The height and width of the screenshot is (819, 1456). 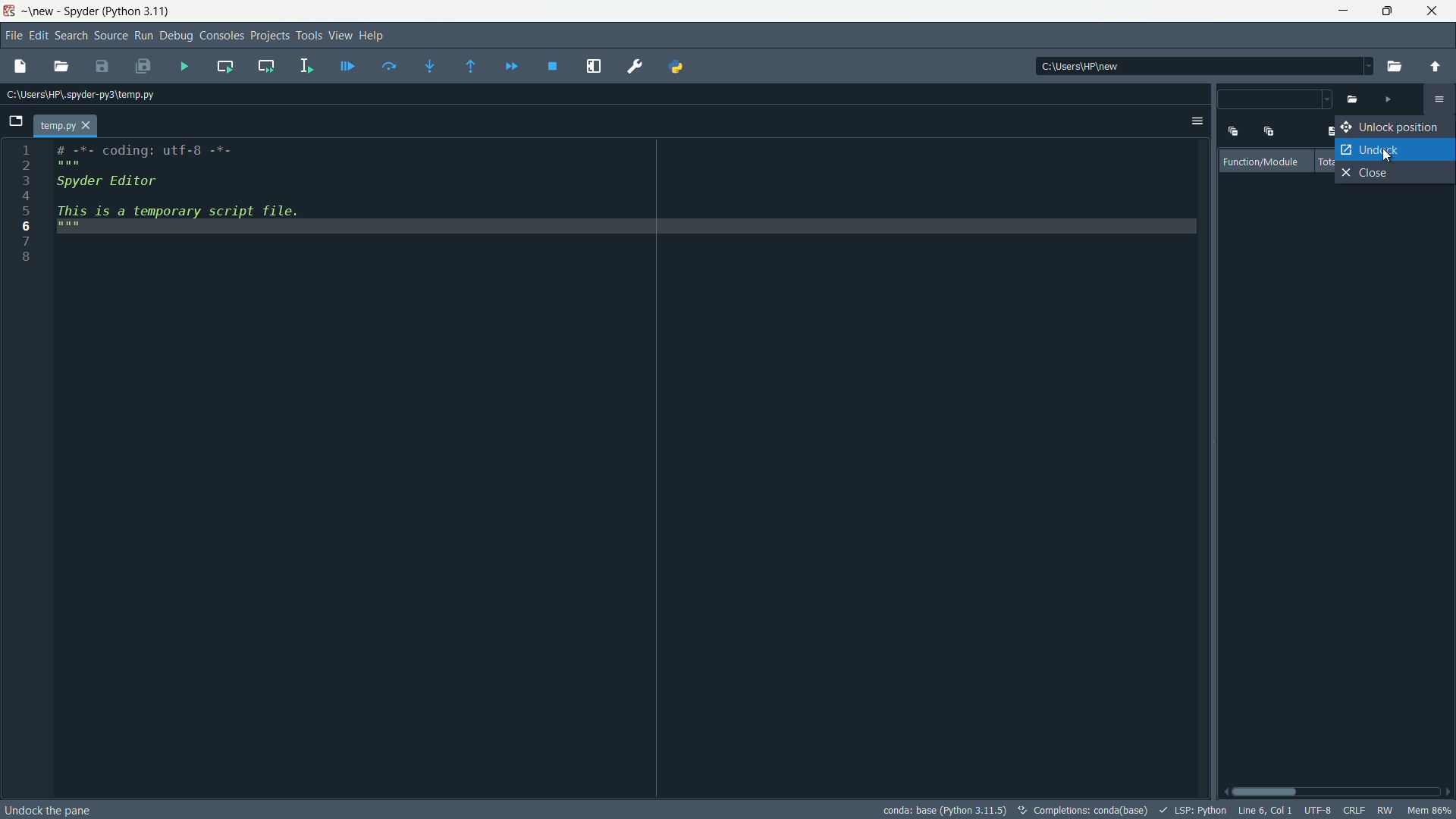 I want to click on Spyder editor, so click(x=143, y=186).